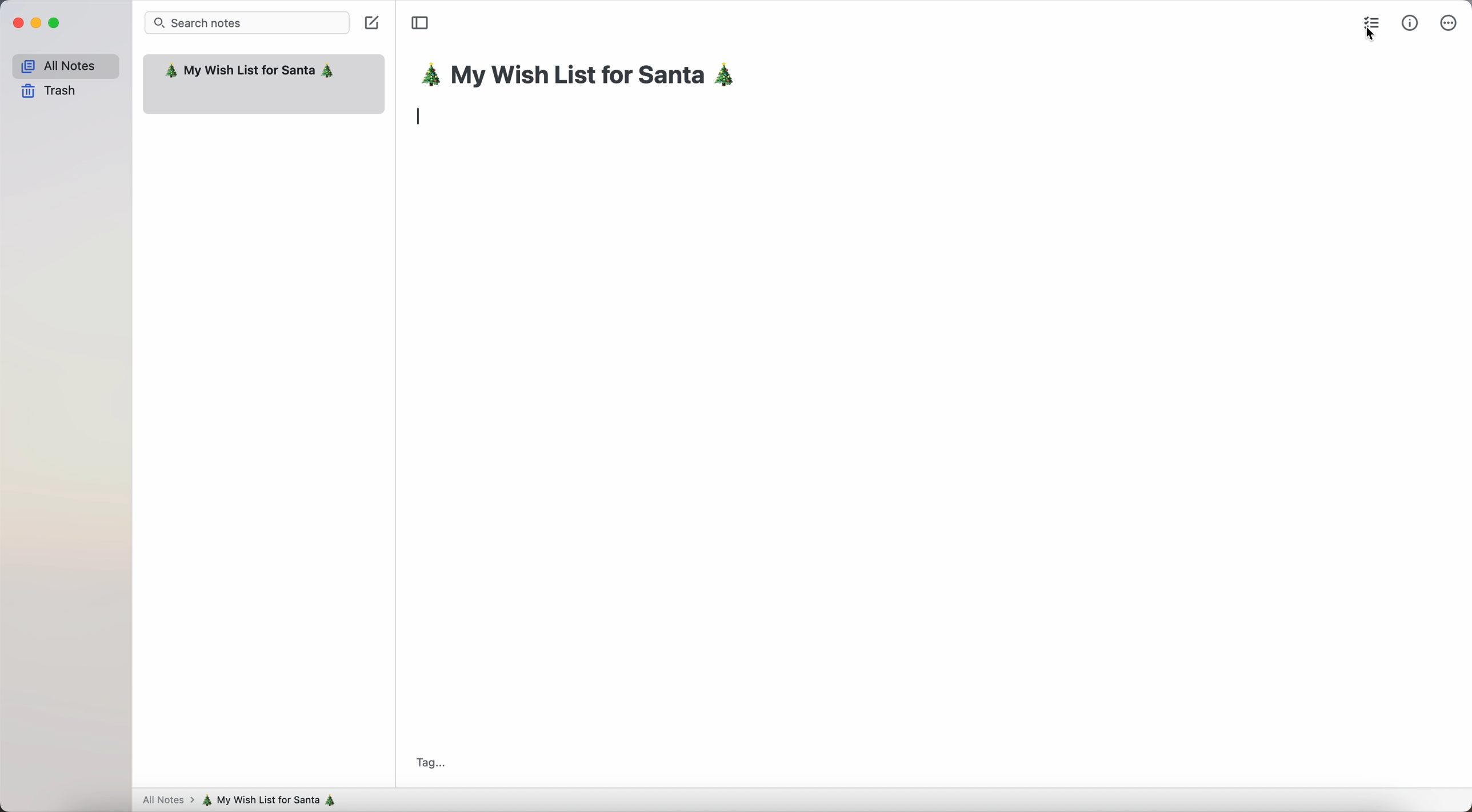 The height and width of the screenshot is (812, 1472). I want to click on toggle sidebar, so click(419, 23).